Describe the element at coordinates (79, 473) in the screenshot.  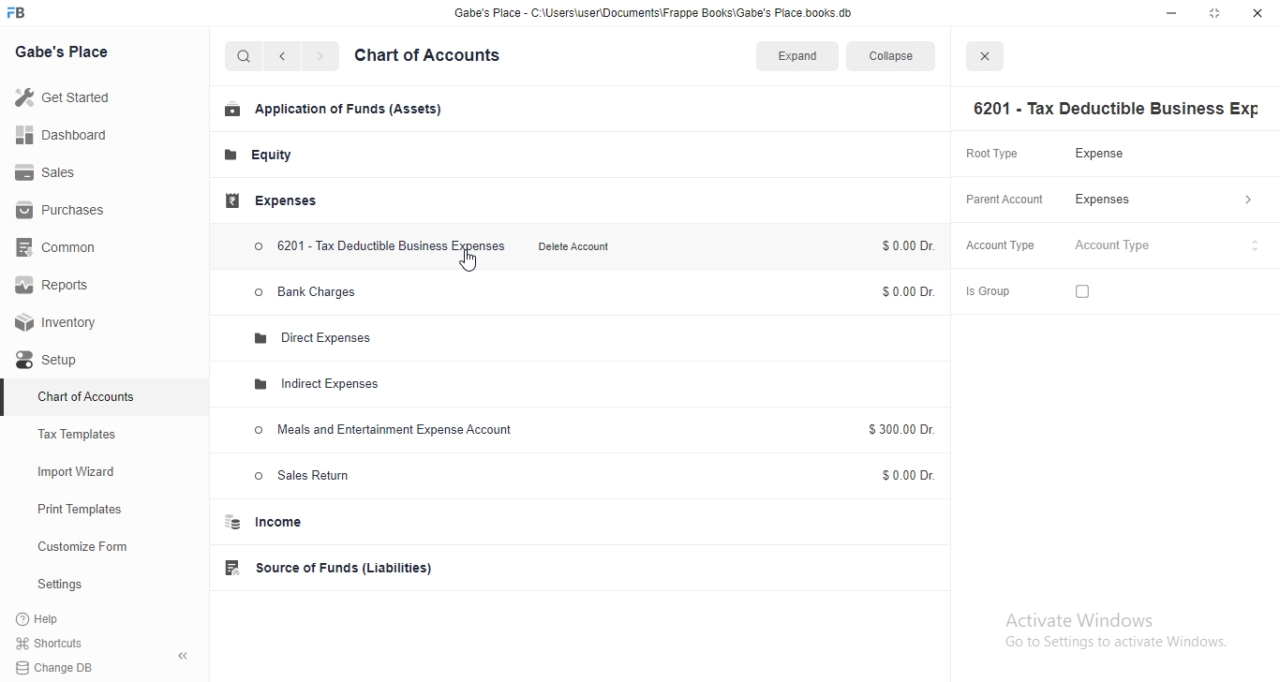
I see `Import Wizard` at that location.